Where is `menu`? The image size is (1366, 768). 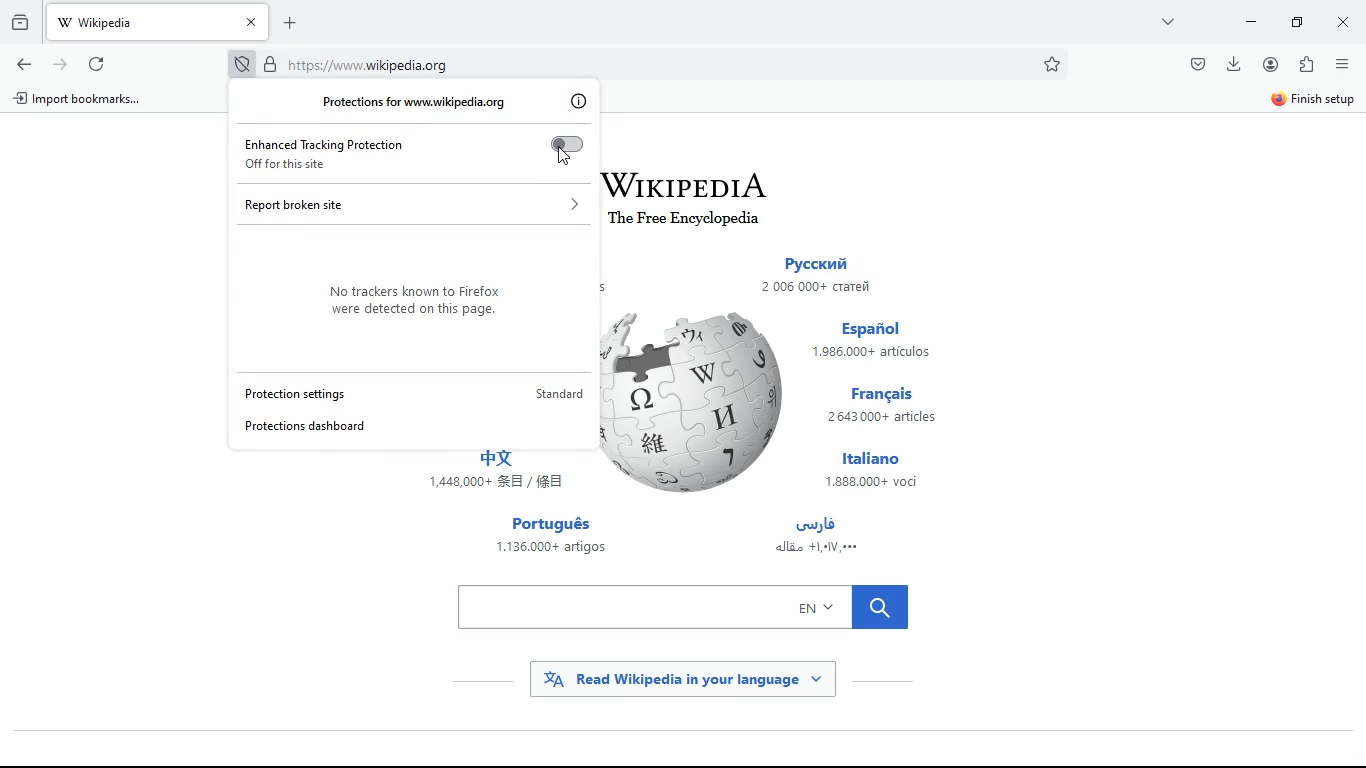
menu is located at coordinates (1342, 64).